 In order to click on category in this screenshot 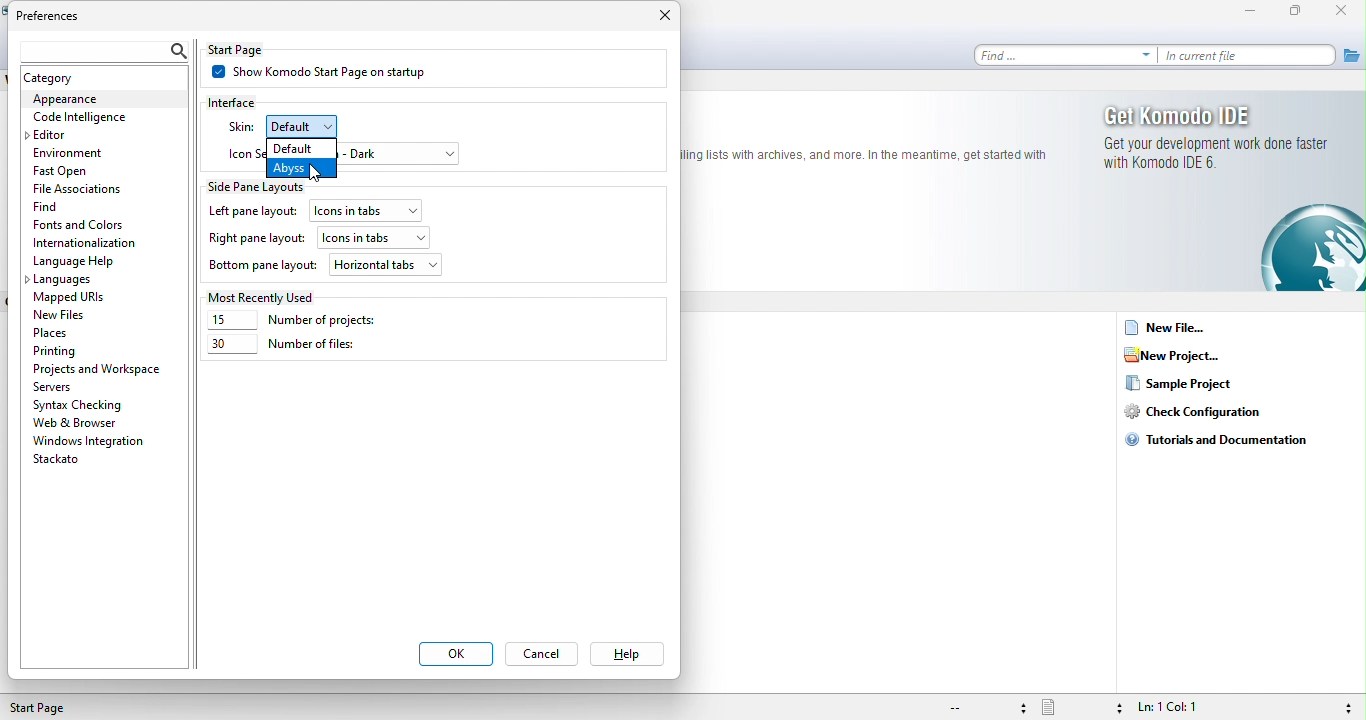, I will do `click(72, 78)`.